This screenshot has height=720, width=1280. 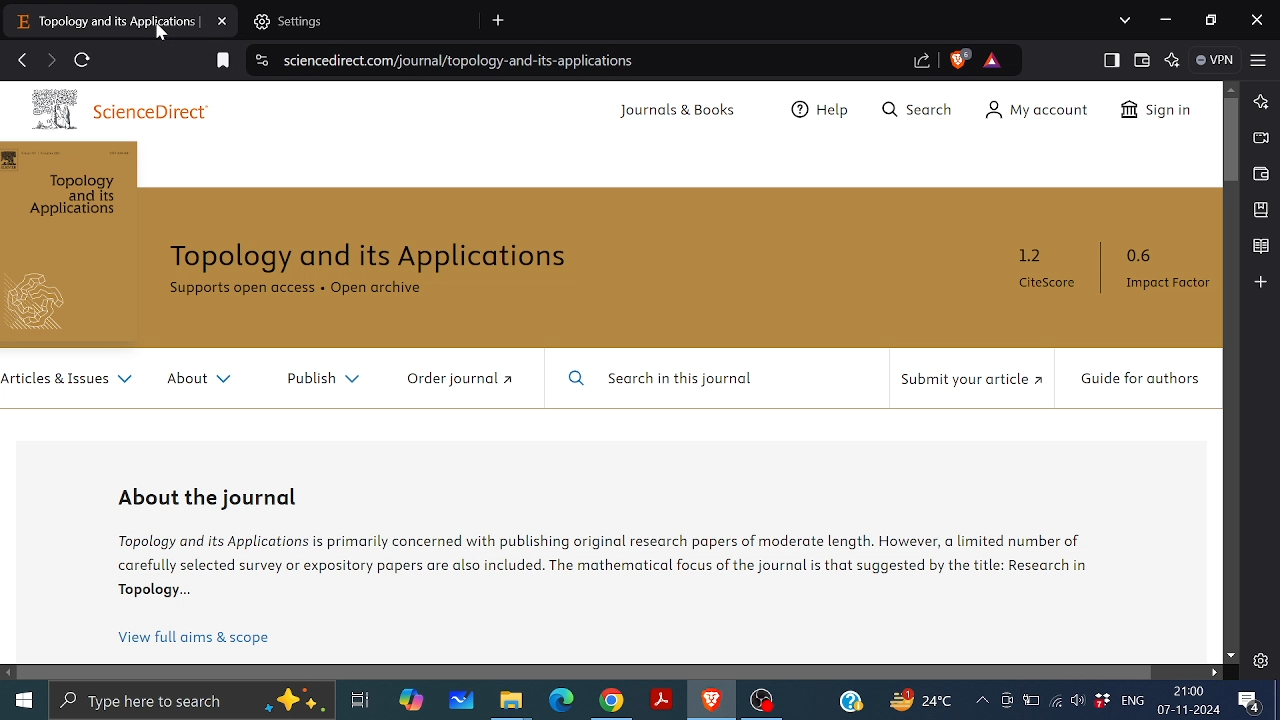 What do you see at coordinates (23, 59) in the screenshot?
I see `Go back` at bounding box center [23, 59].